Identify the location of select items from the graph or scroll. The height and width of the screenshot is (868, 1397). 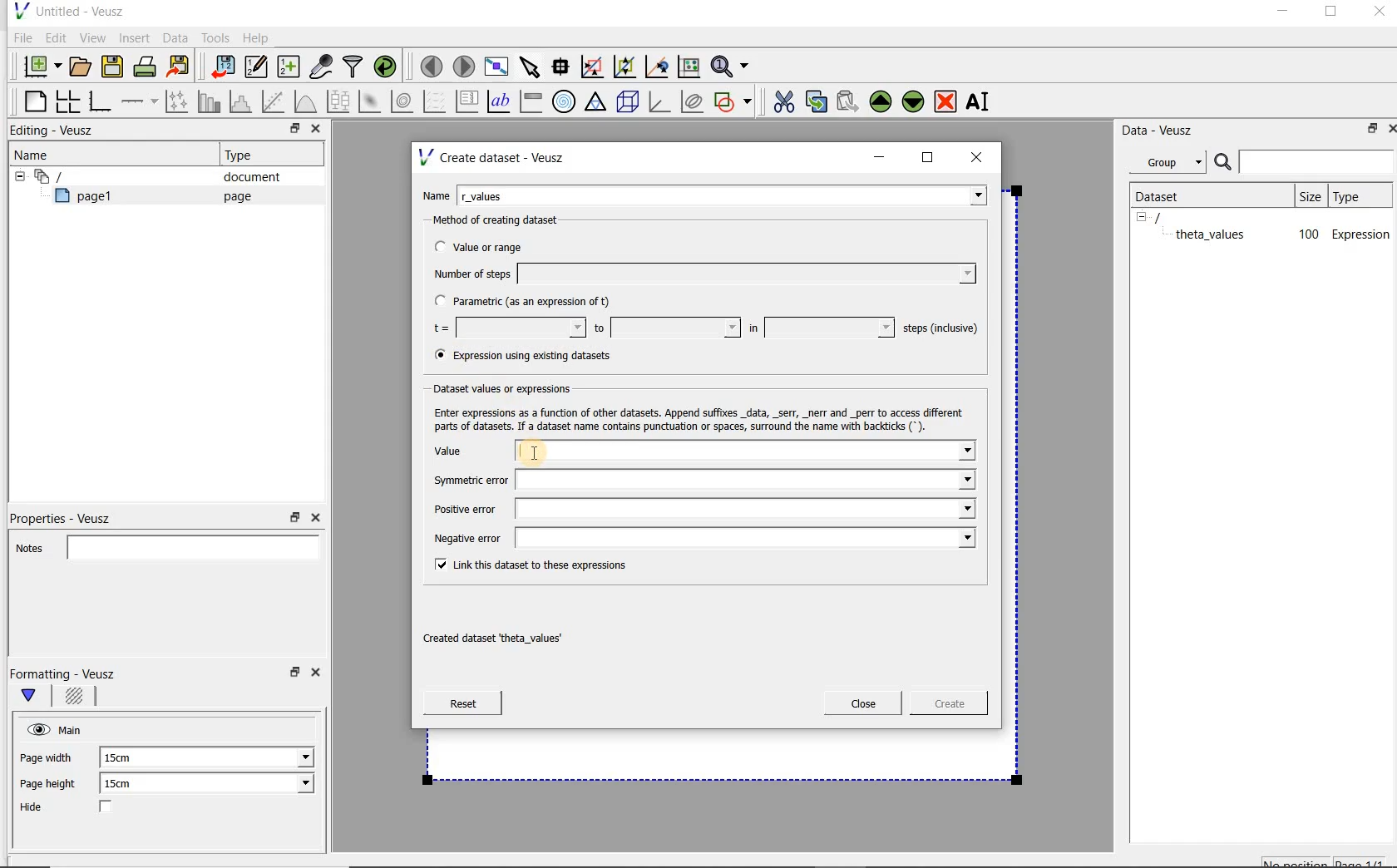
(529, 65).